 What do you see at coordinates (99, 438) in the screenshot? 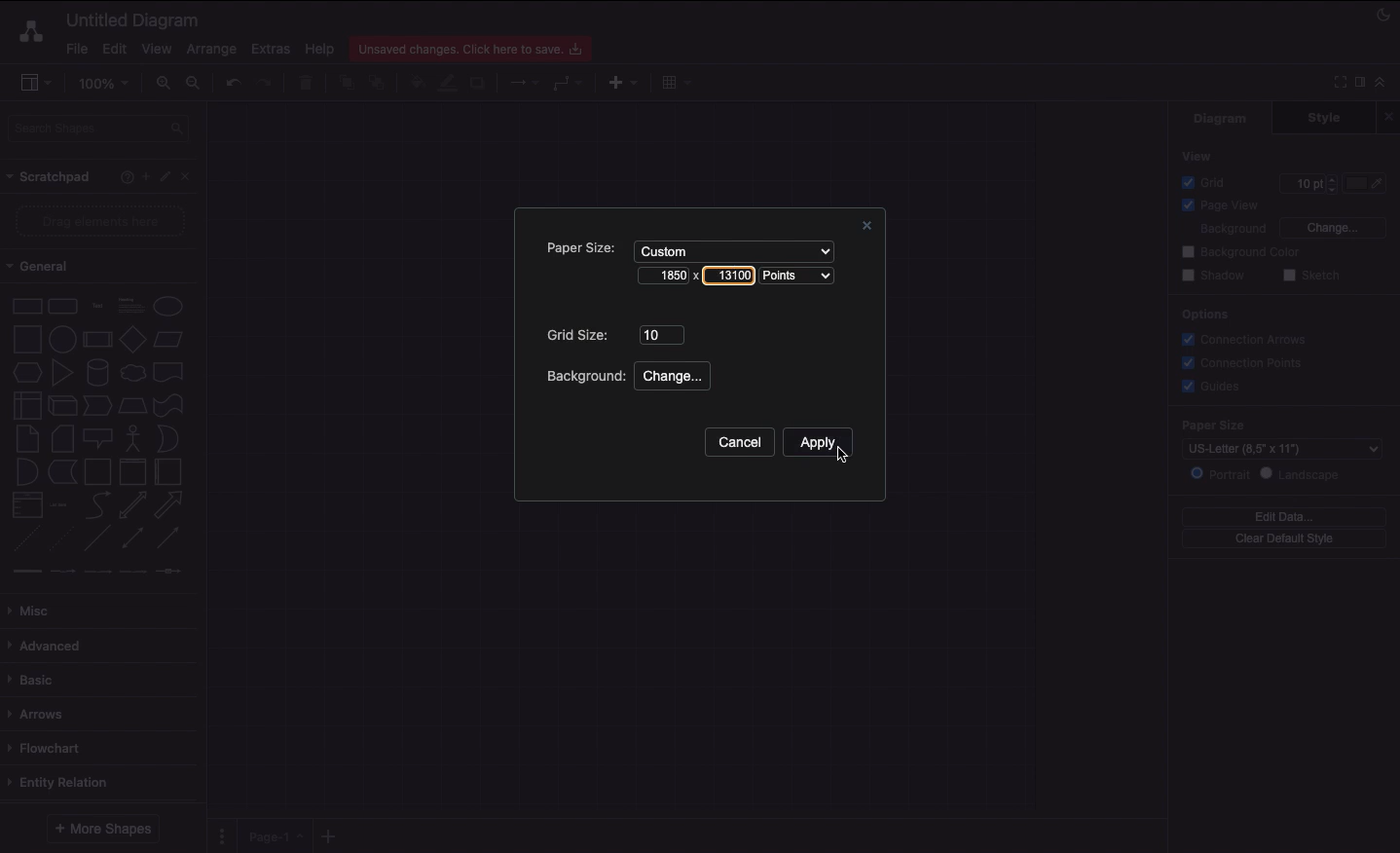
I see `Callout` at bounding box center [99, 438].